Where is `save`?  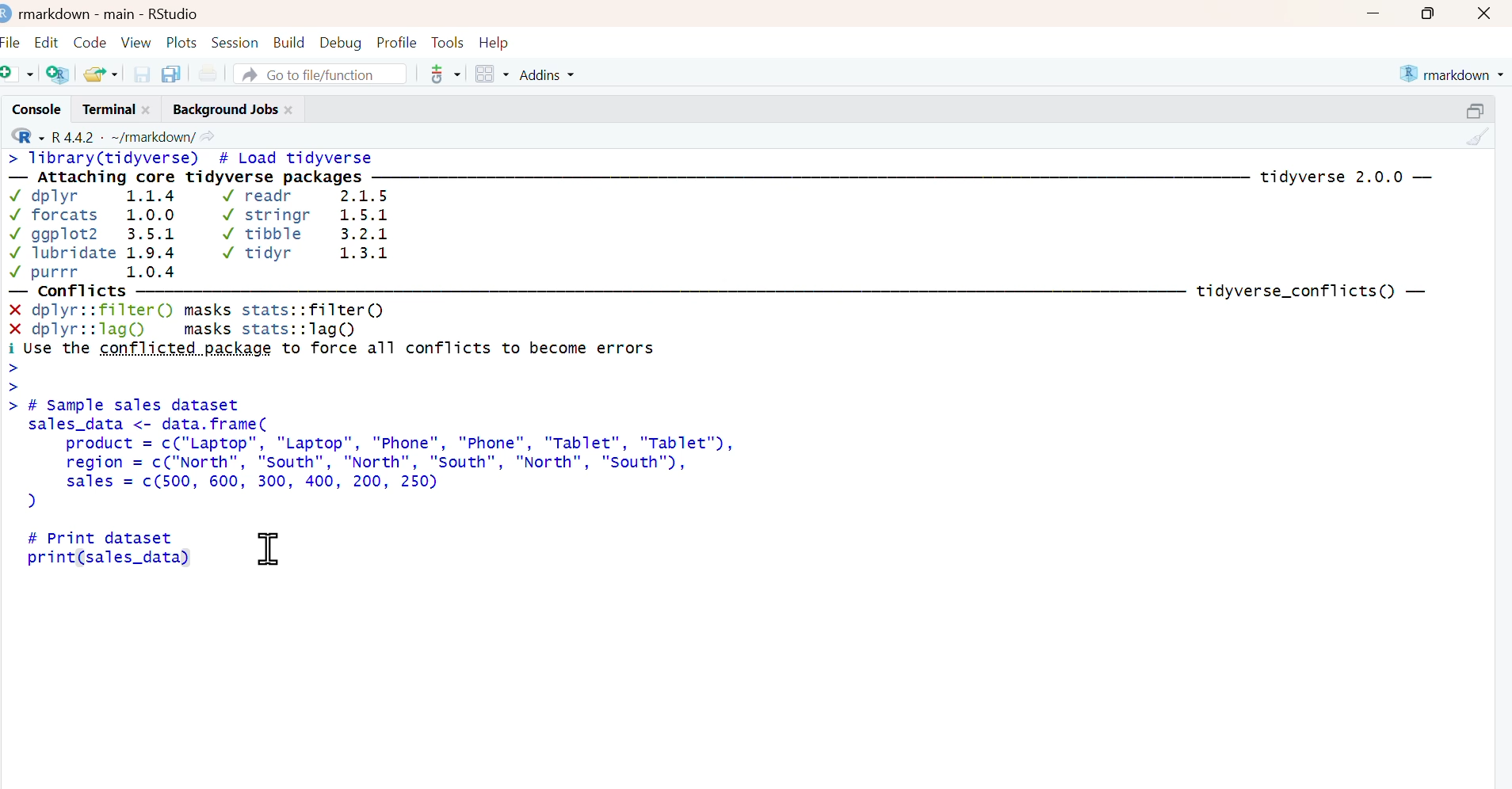 save is located at coordinates (143, 73).